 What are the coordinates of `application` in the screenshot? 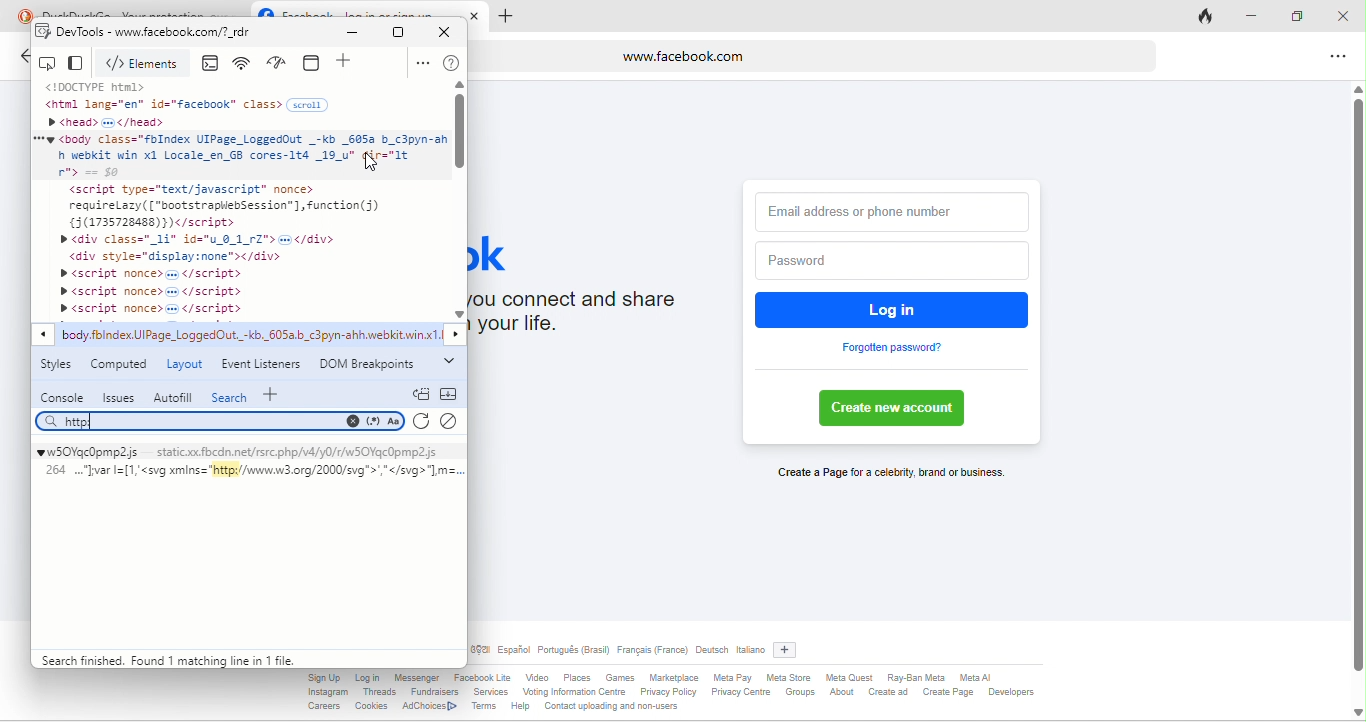 It's located at (315, 62).